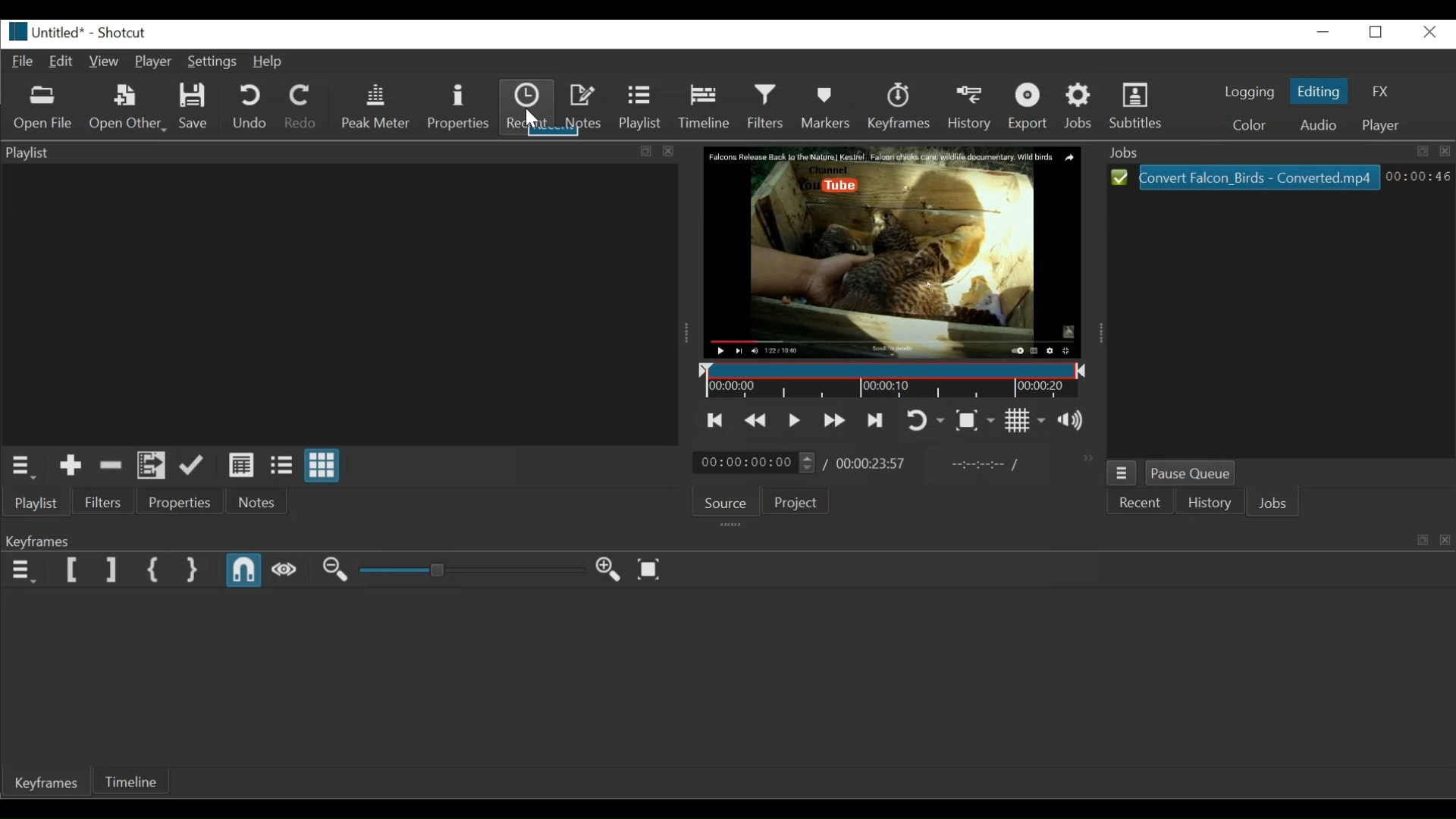  I want to click on History, so click(1208, 502).